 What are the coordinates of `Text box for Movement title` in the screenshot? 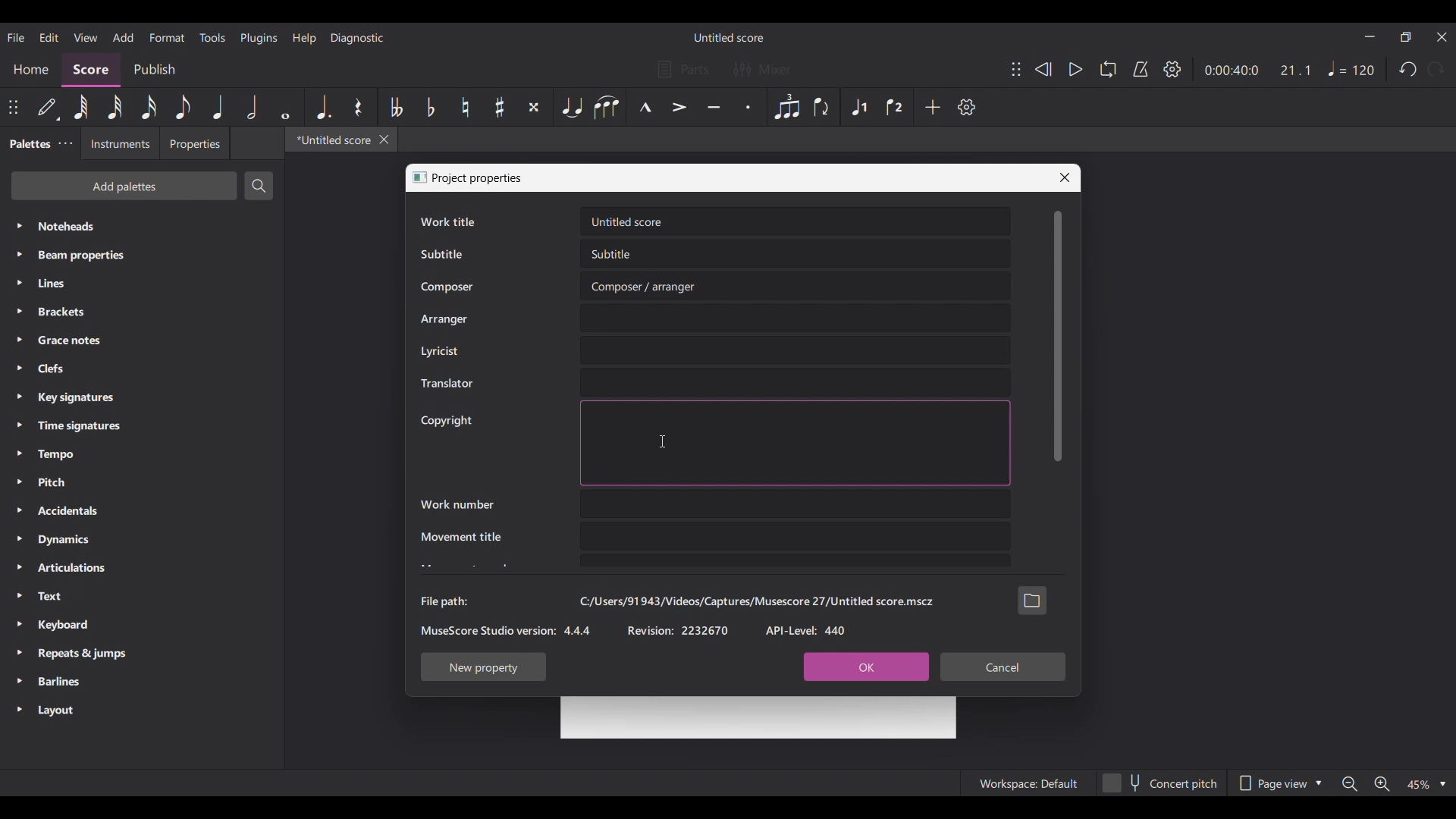 It's located at (795, 536).